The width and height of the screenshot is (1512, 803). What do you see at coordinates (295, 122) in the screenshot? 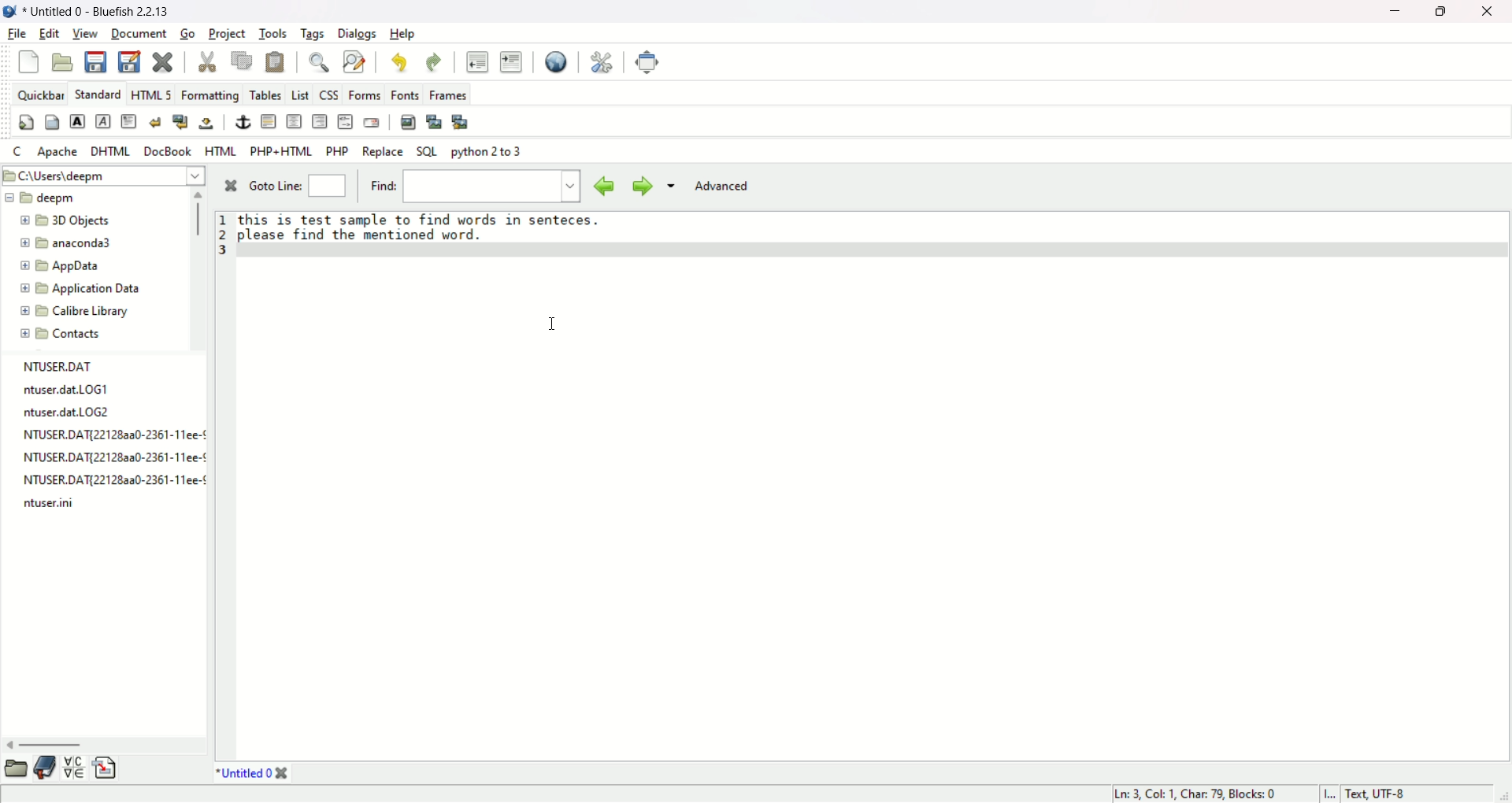
I see `center` at bounding box center [295, 122].